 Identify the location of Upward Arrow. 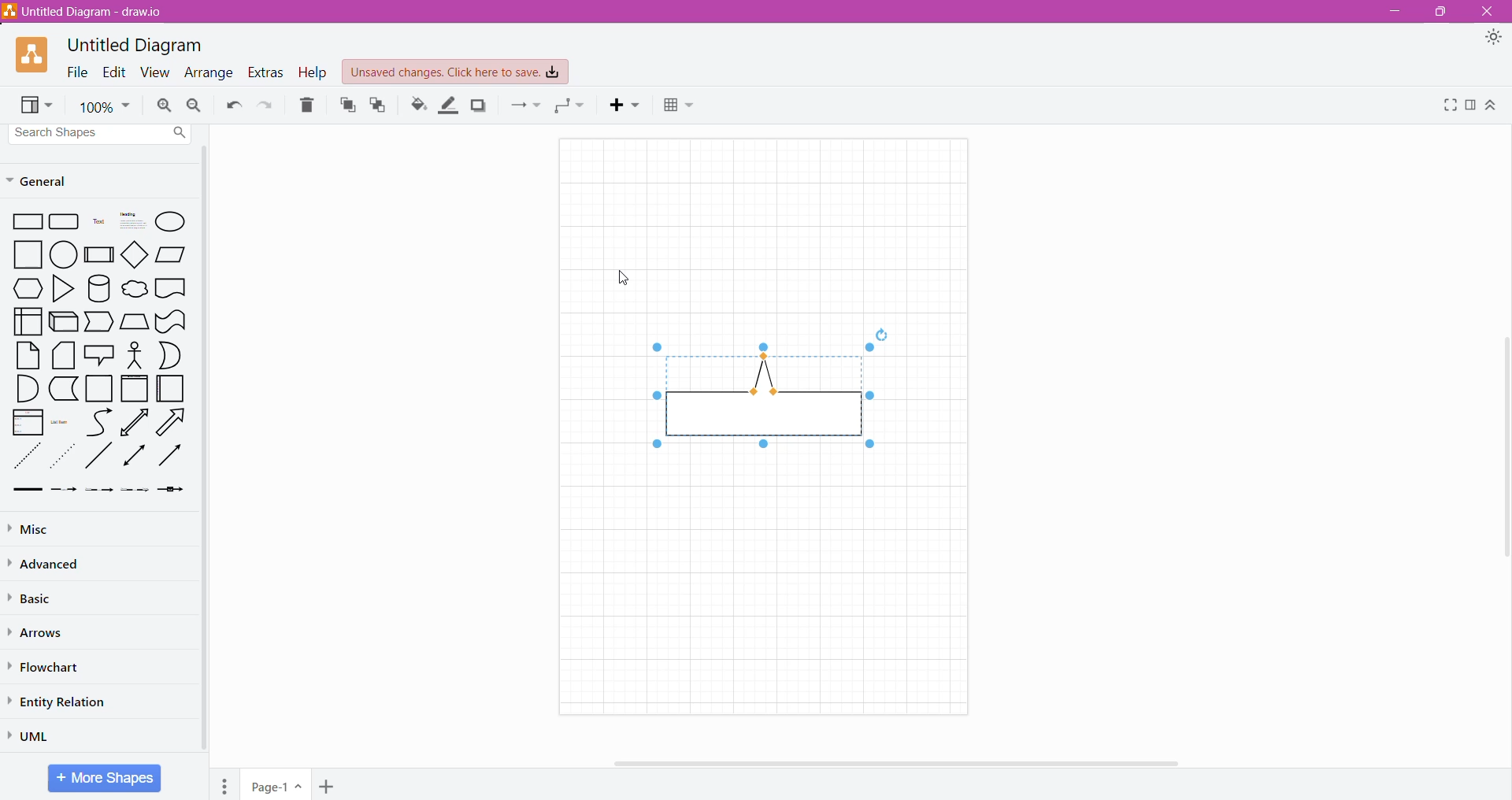
(135, 422).